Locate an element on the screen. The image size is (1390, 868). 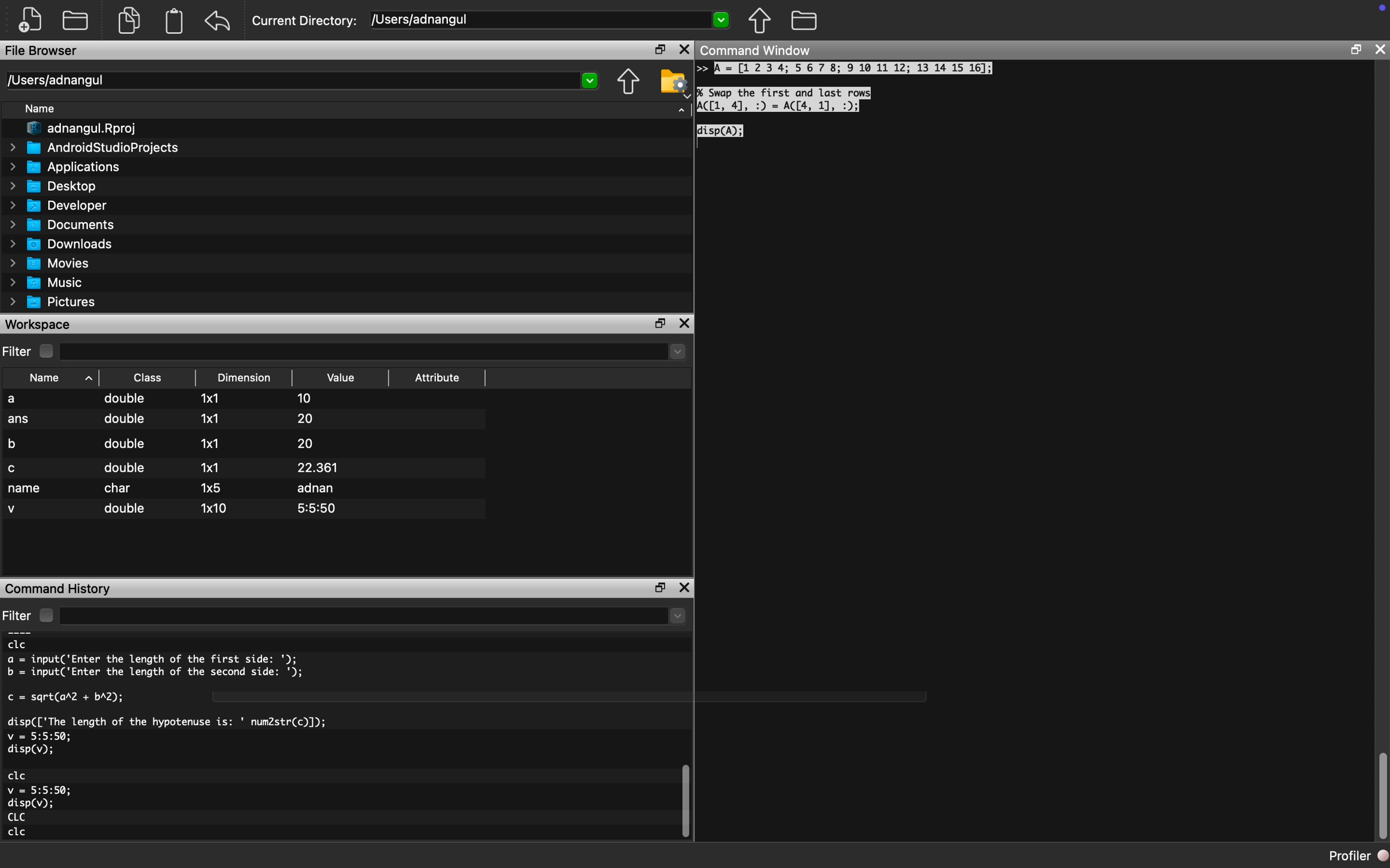
> Music is located at coordinates (46, 283).